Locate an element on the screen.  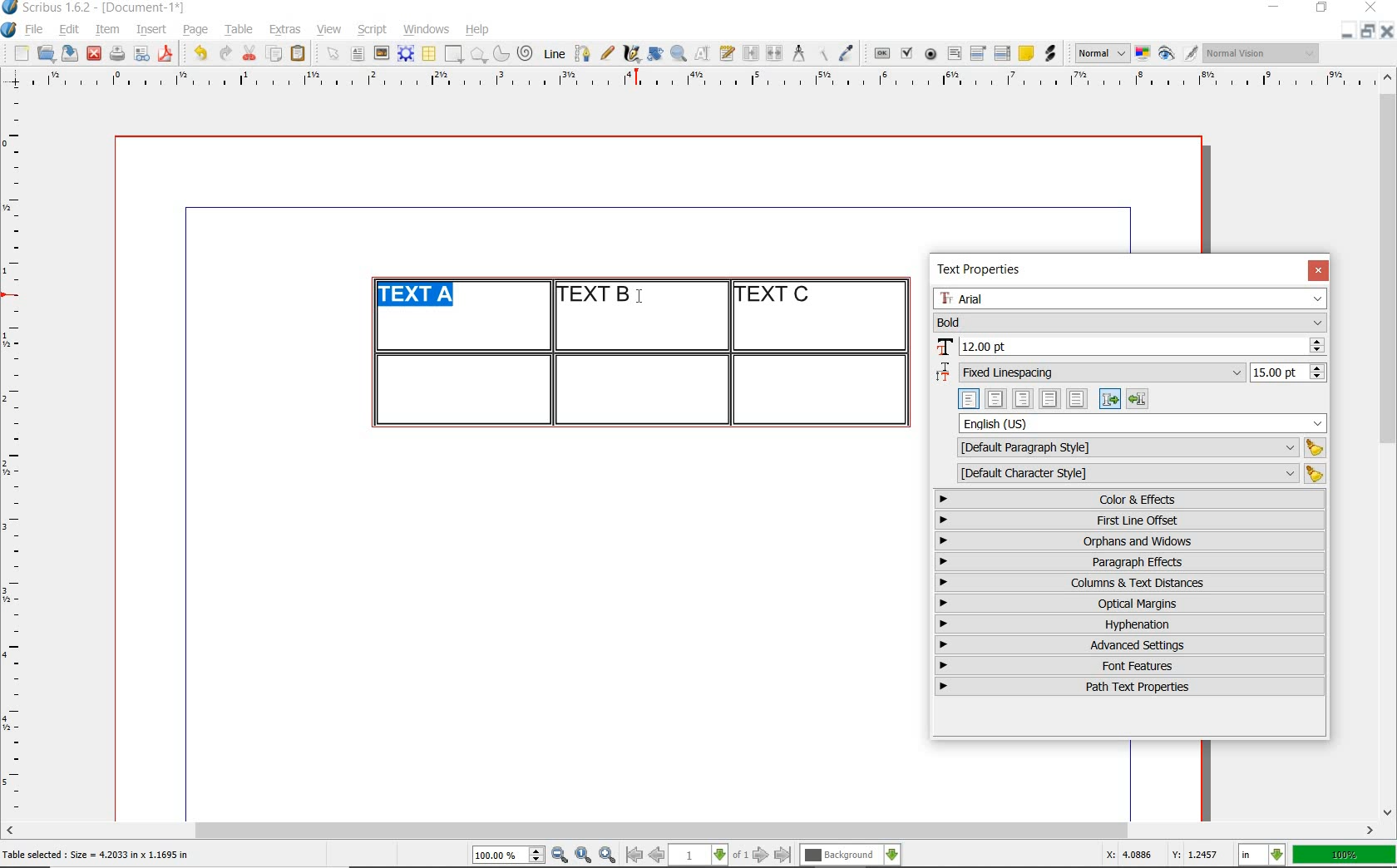
paste is located at coordinates (301, 54).